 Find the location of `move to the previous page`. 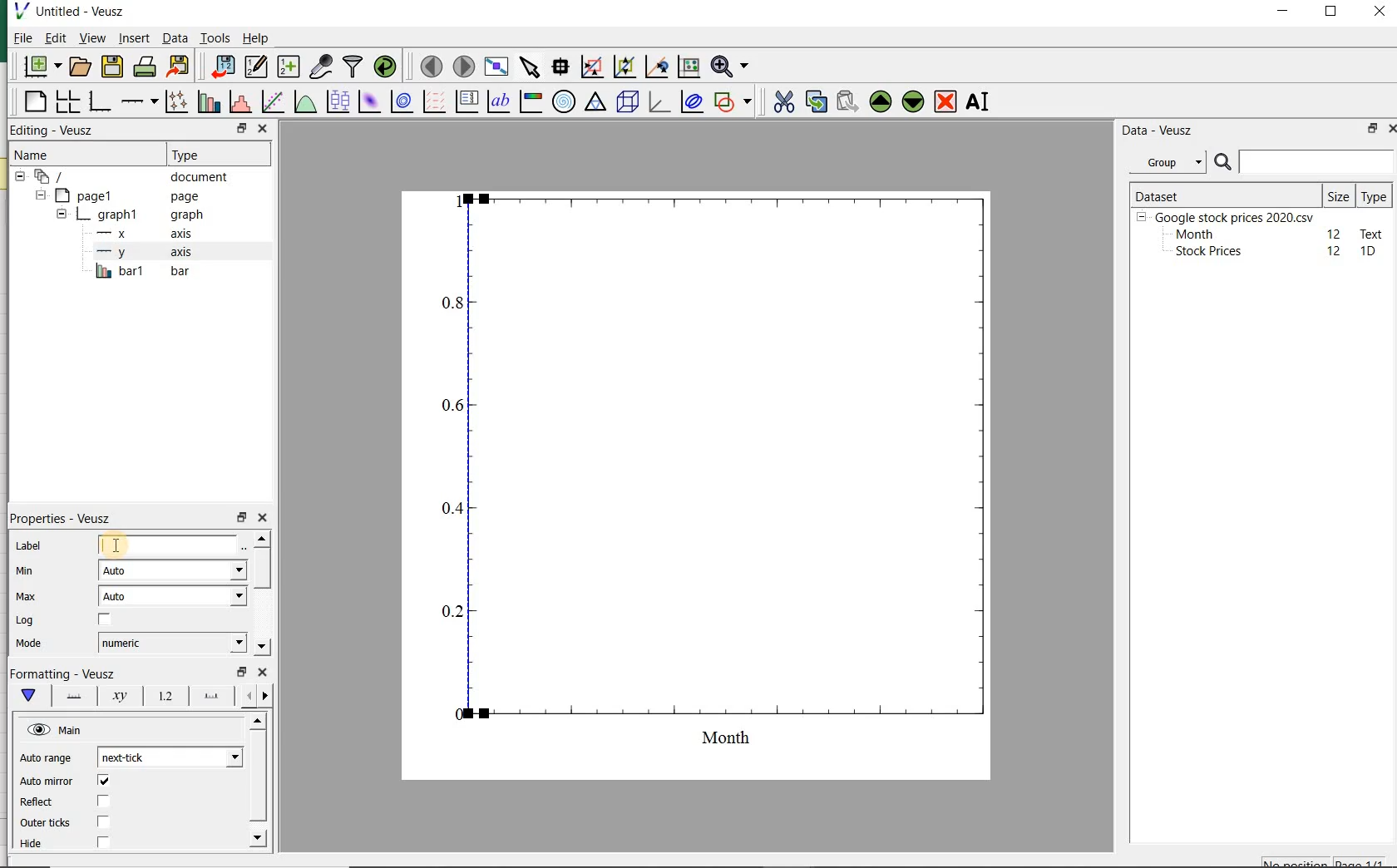

move to the previous page is located at coordinates (429, 65).